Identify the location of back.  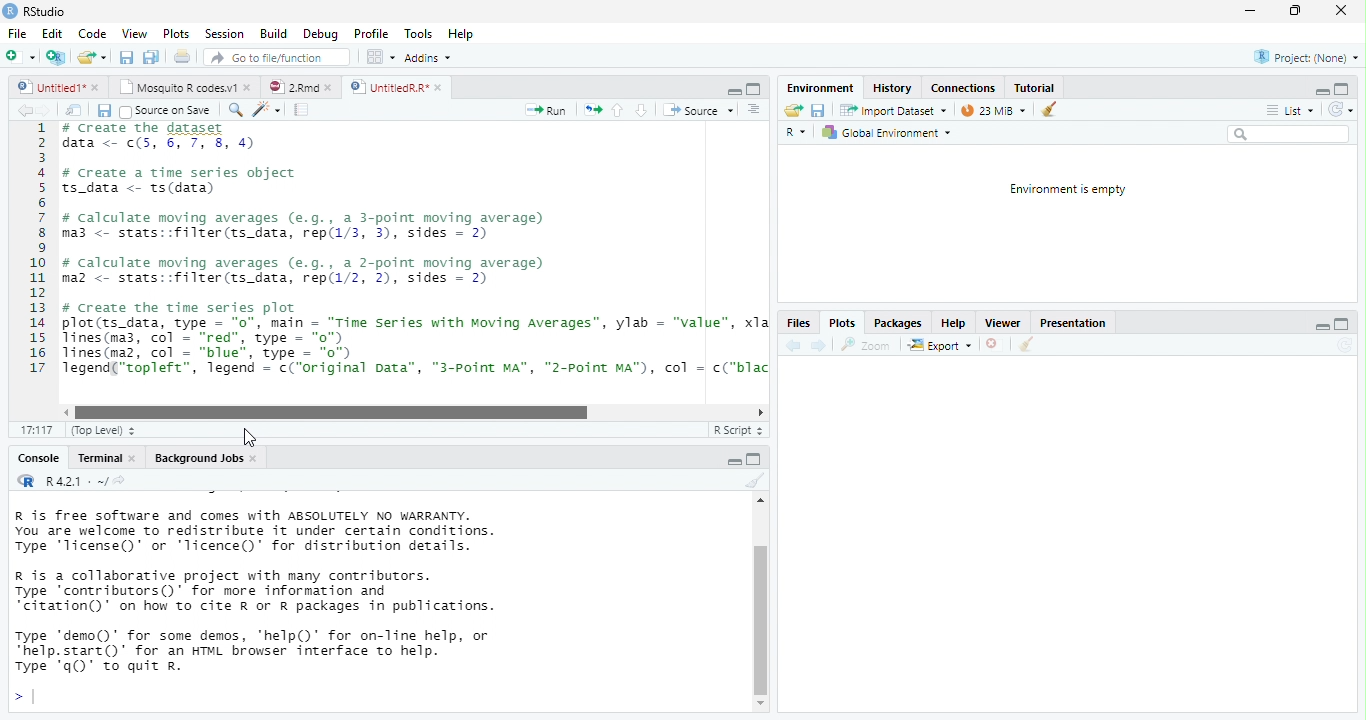
(791, 345).